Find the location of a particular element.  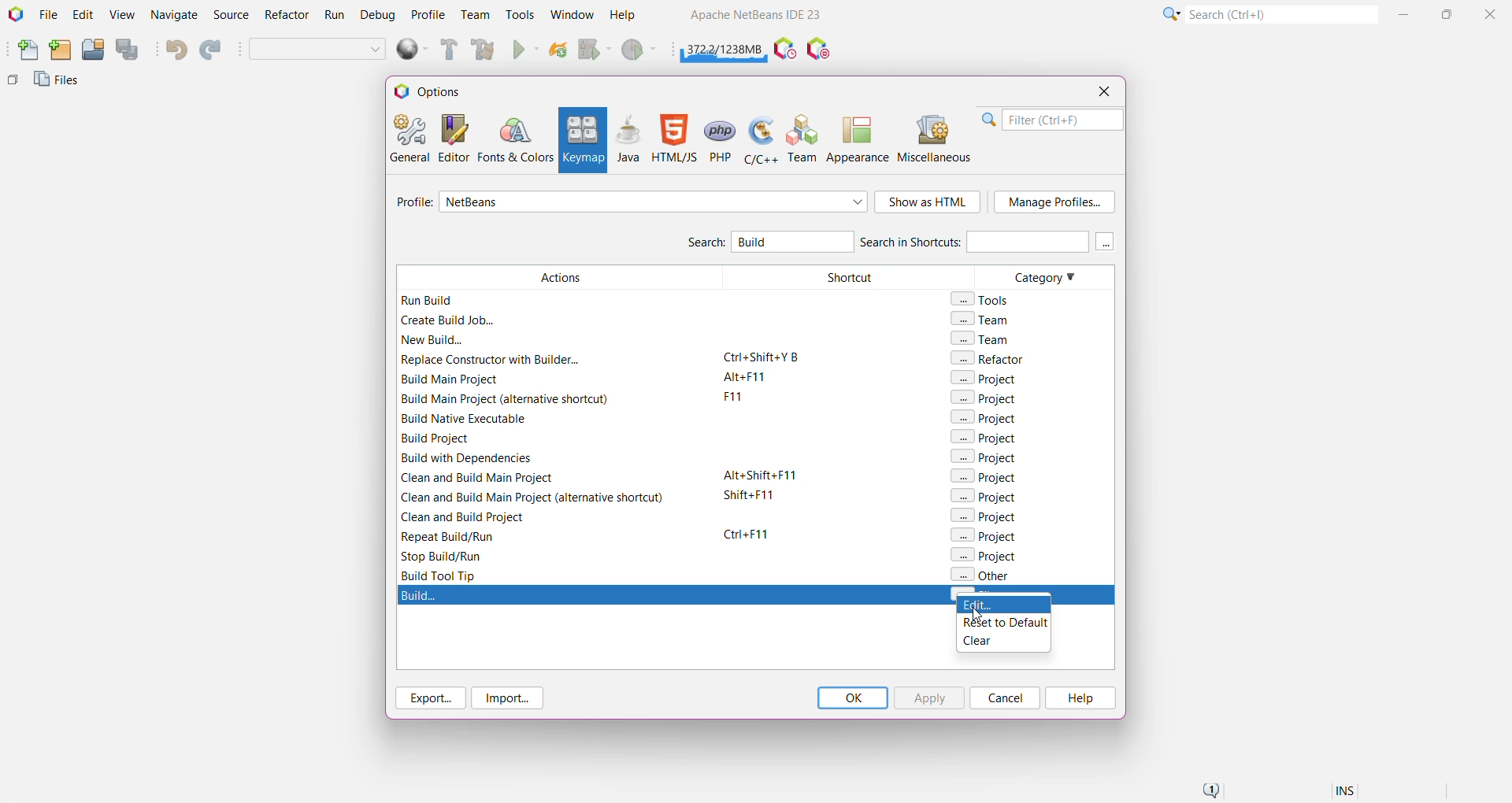

Java is located at coordinates (628, 139).